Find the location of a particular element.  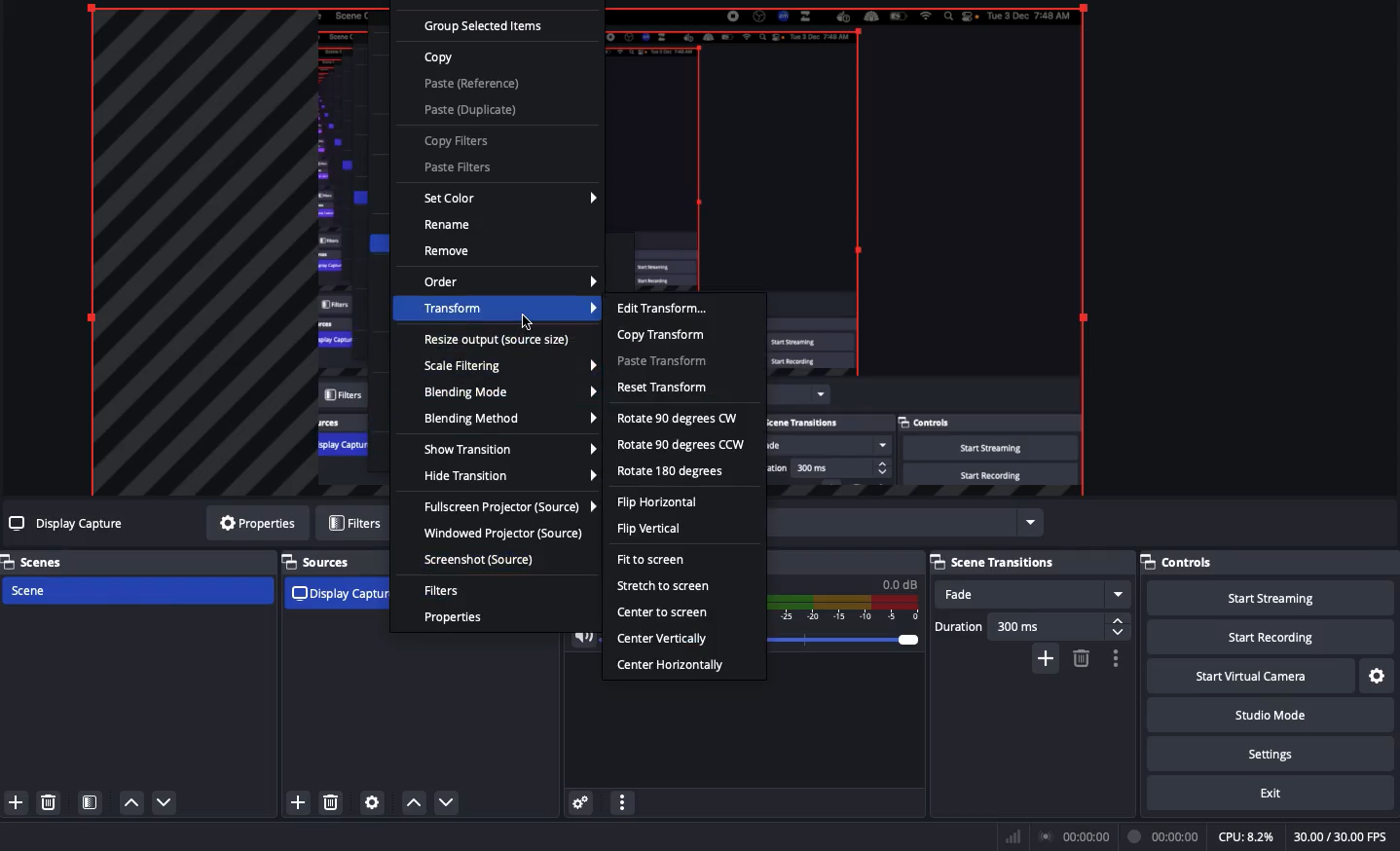

Group selected items is located at coordinates (484, 24).